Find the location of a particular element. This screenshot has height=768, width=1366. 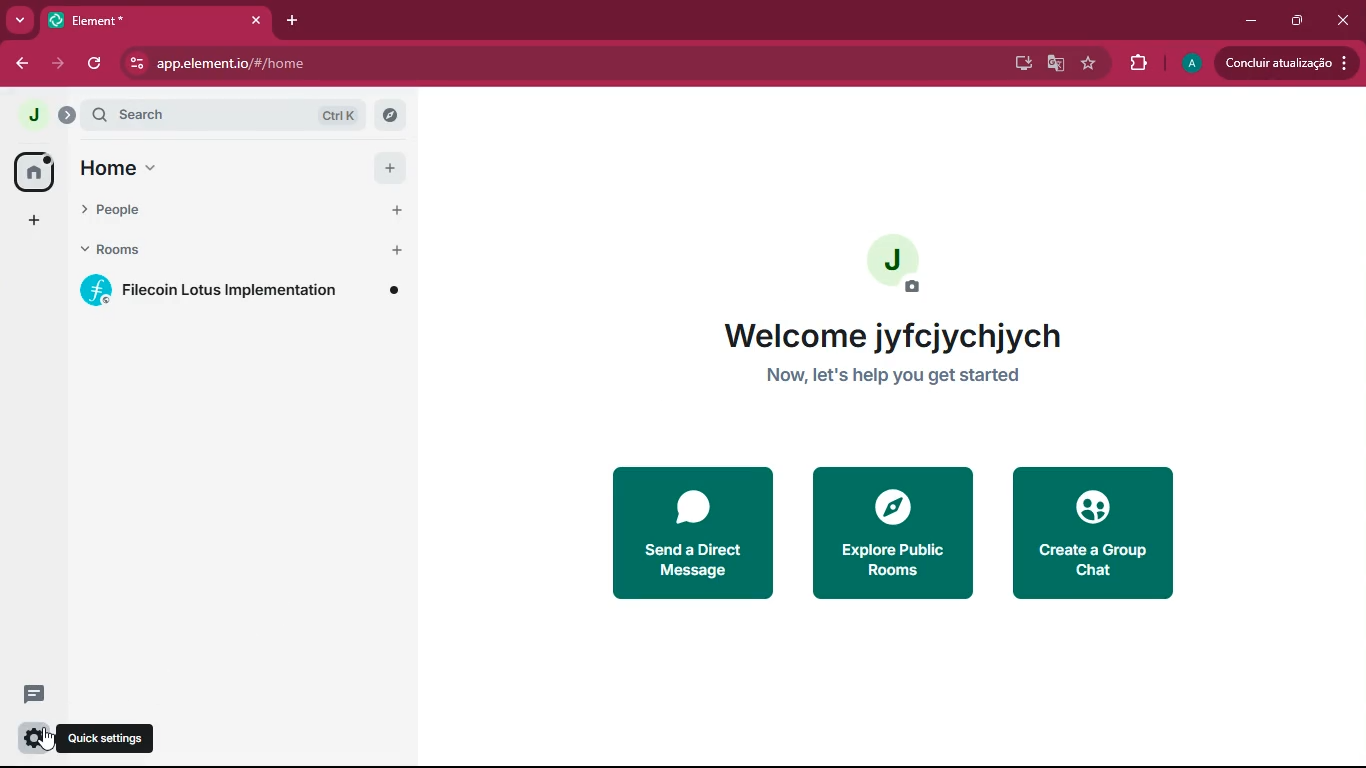

home is located at coordinates (211, 168).